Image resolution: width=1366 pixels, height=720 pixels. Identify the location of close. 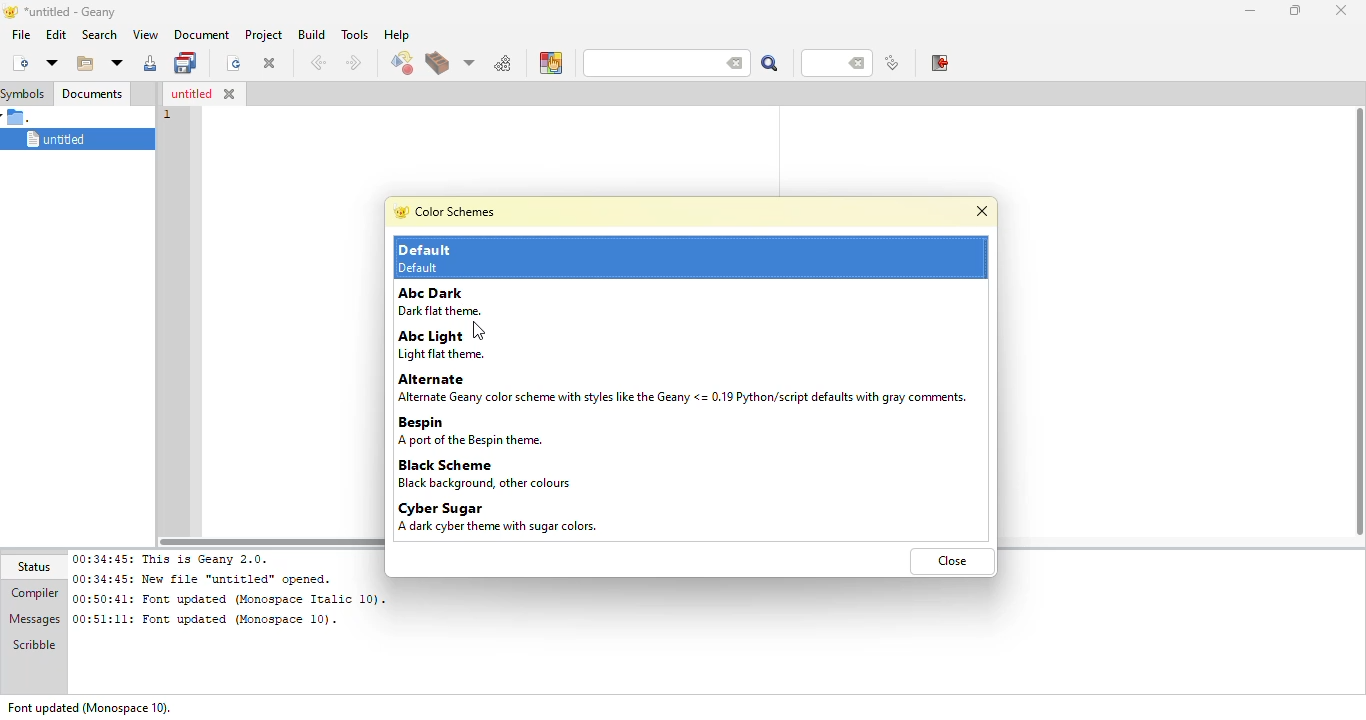
(954, 562).